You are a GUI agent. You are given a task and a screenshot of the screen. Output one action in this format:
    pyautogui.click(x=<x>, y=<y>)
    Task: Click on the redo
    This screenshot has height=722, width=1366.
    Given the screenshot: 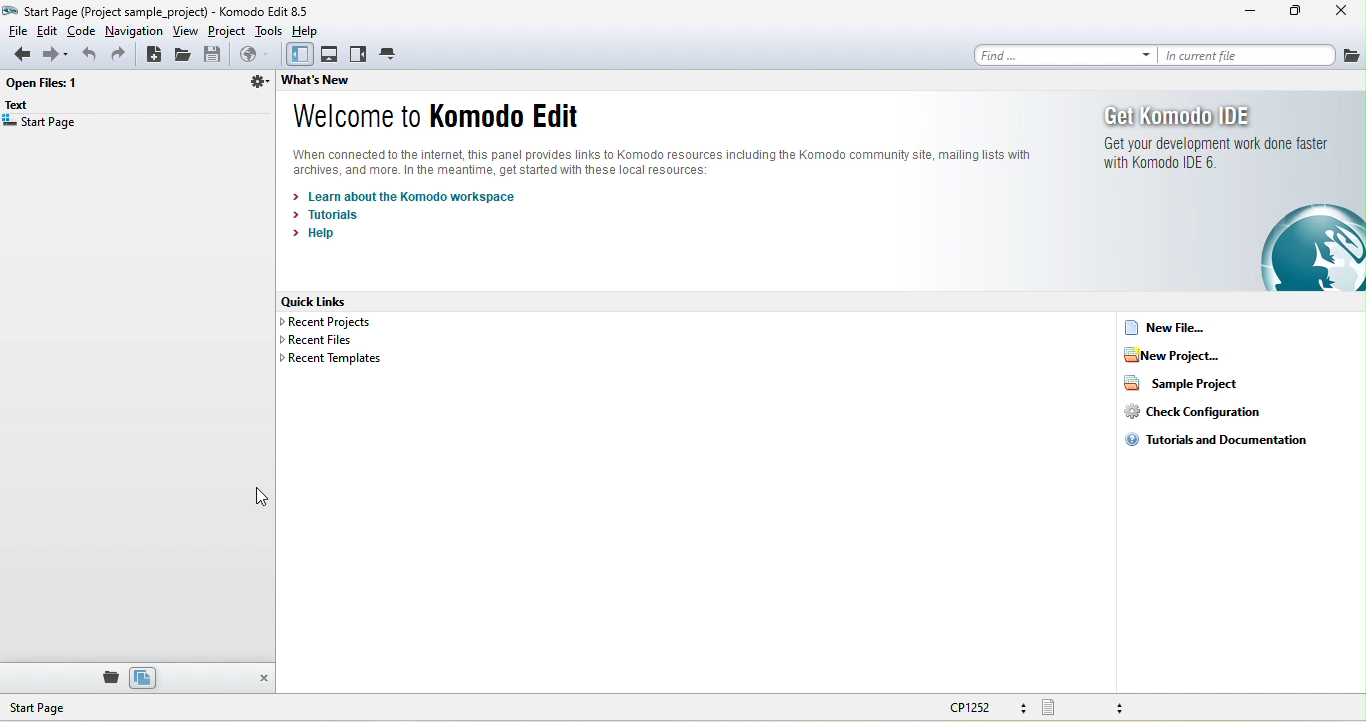 What is the action you would take?
    pyautogui.click(x=122, y=55)
    